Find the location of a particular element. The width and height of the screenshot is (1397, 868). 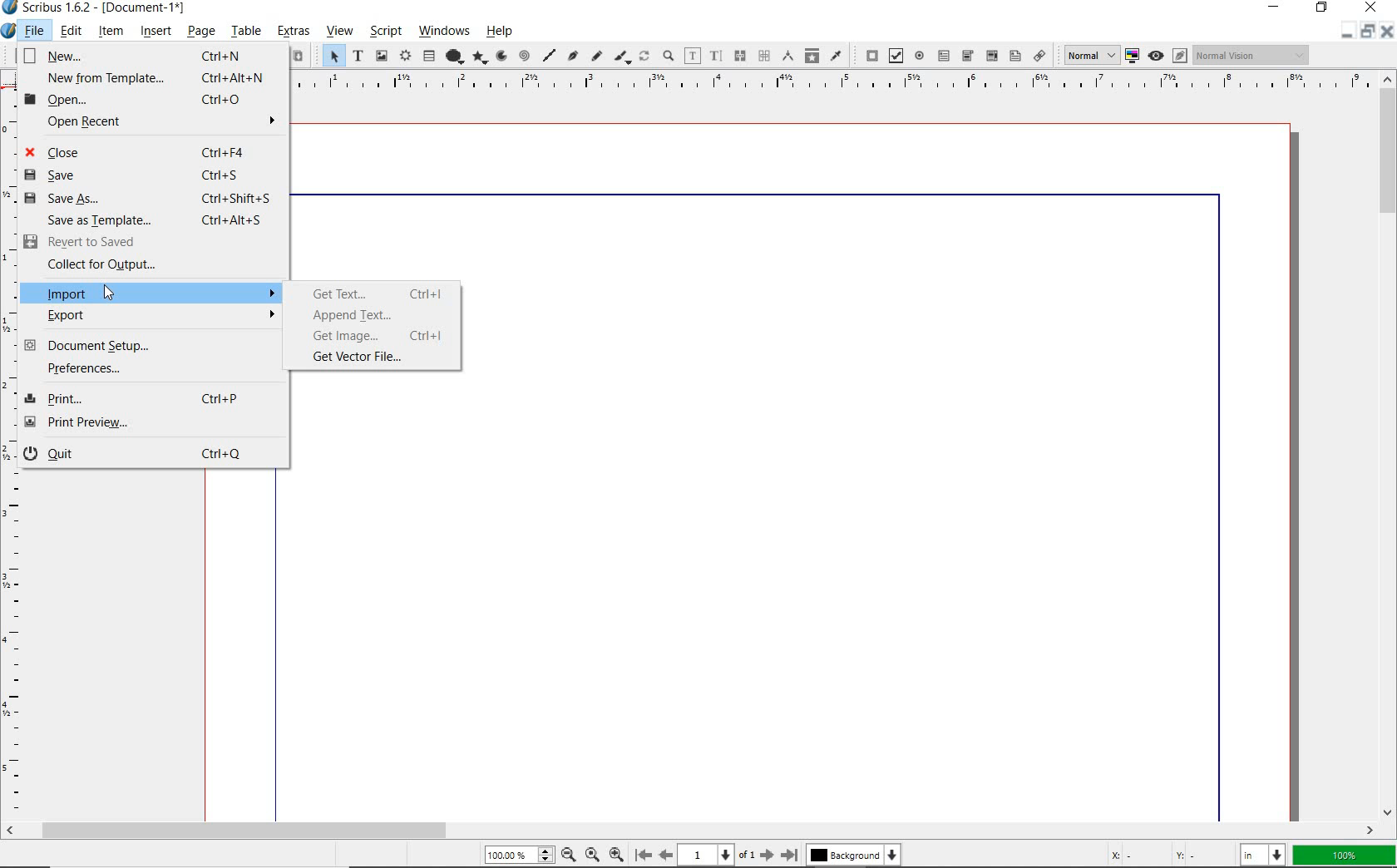

Open... Ctrl+O is located at coordinates (151, 99).